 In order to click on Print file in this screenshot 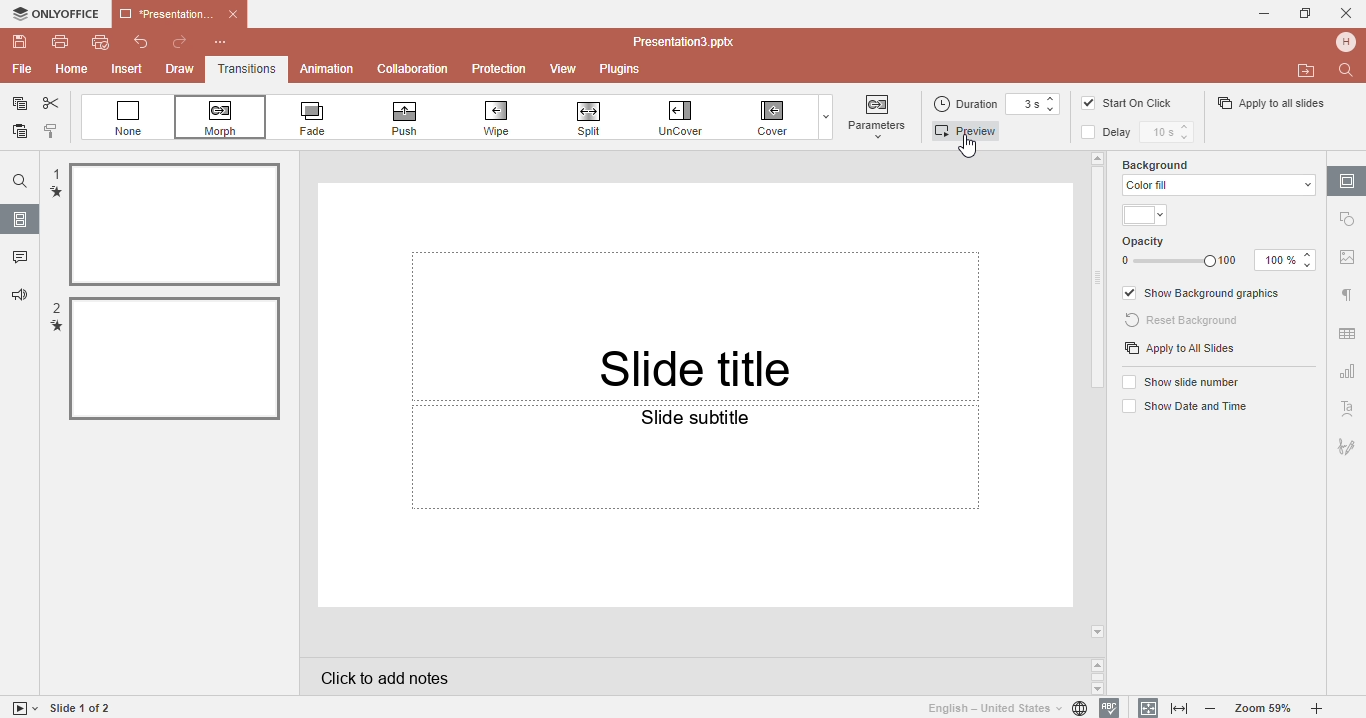, I will do `click(60, 41)`.